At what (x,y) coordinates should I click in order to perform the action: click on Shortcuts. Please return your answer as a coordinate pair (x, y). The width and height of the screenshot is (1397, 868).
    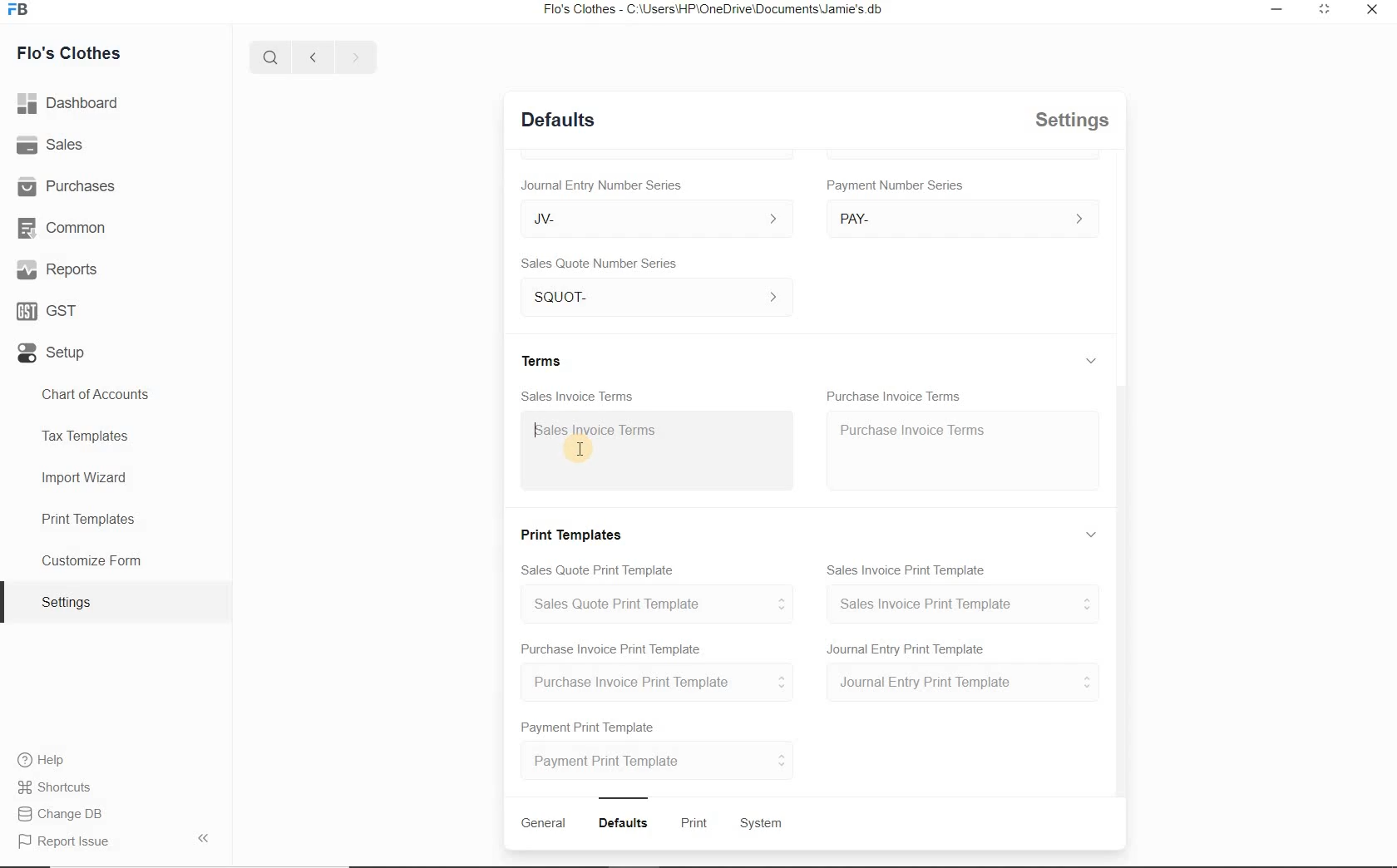
    Looking at the image, I should click on (55, 788).